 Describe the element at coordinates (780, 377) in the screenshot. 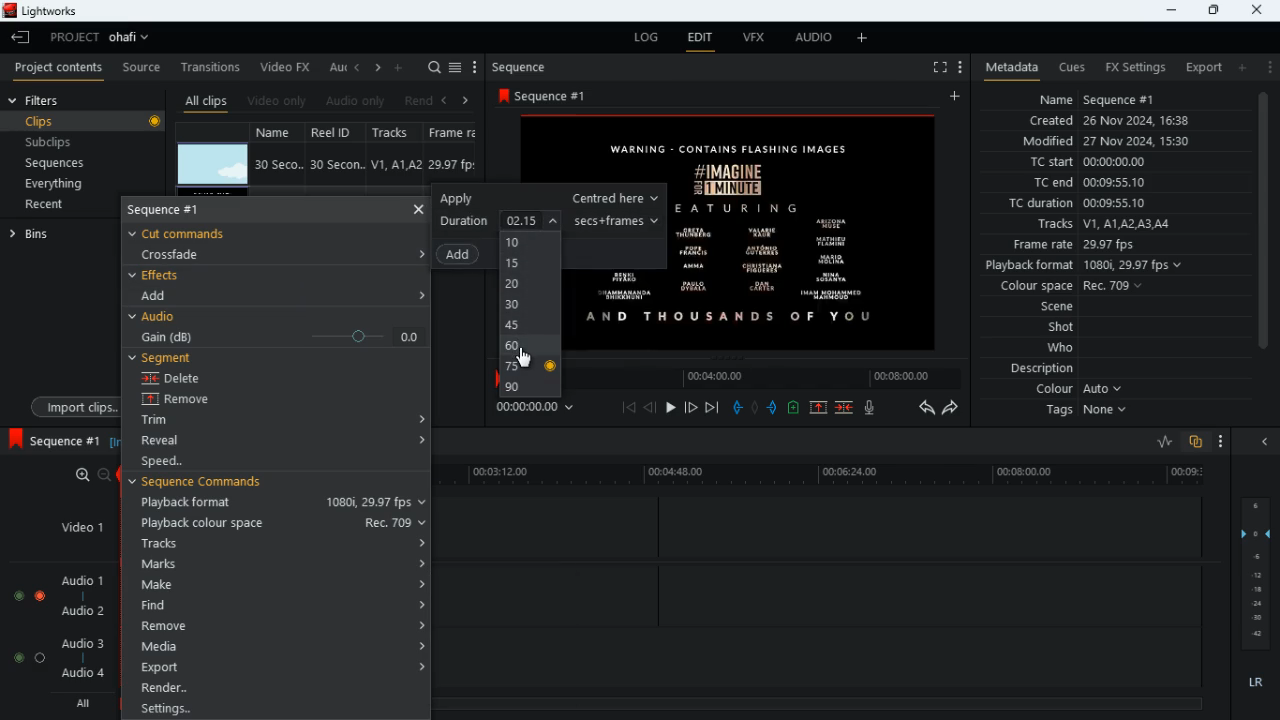

I see `timeline` at that location.